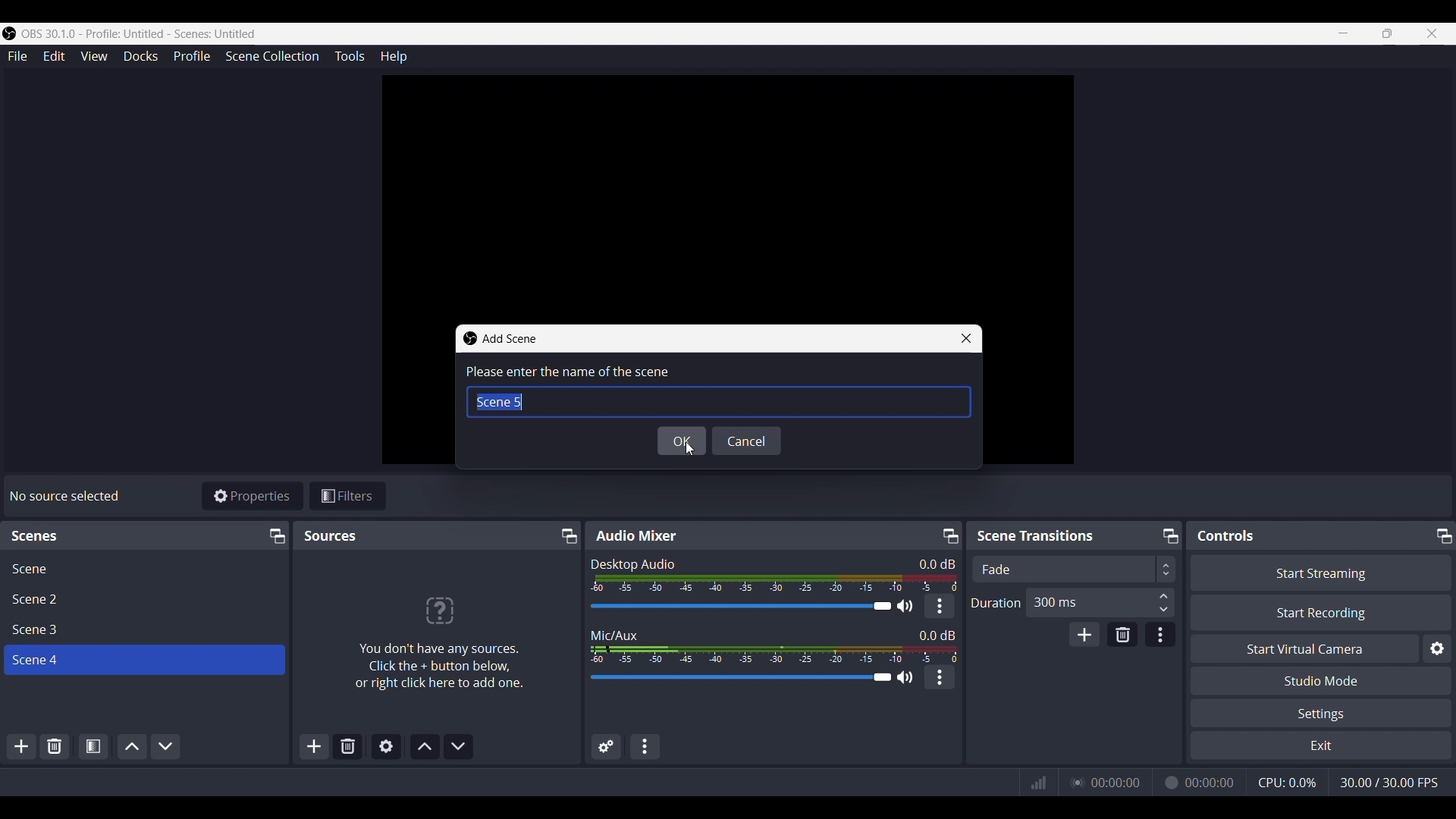 This screenshot has width=1456, height=819. Describe the element at coordinates (1161, 635) in the screenshot. I see `Transition Properties ` at that location.